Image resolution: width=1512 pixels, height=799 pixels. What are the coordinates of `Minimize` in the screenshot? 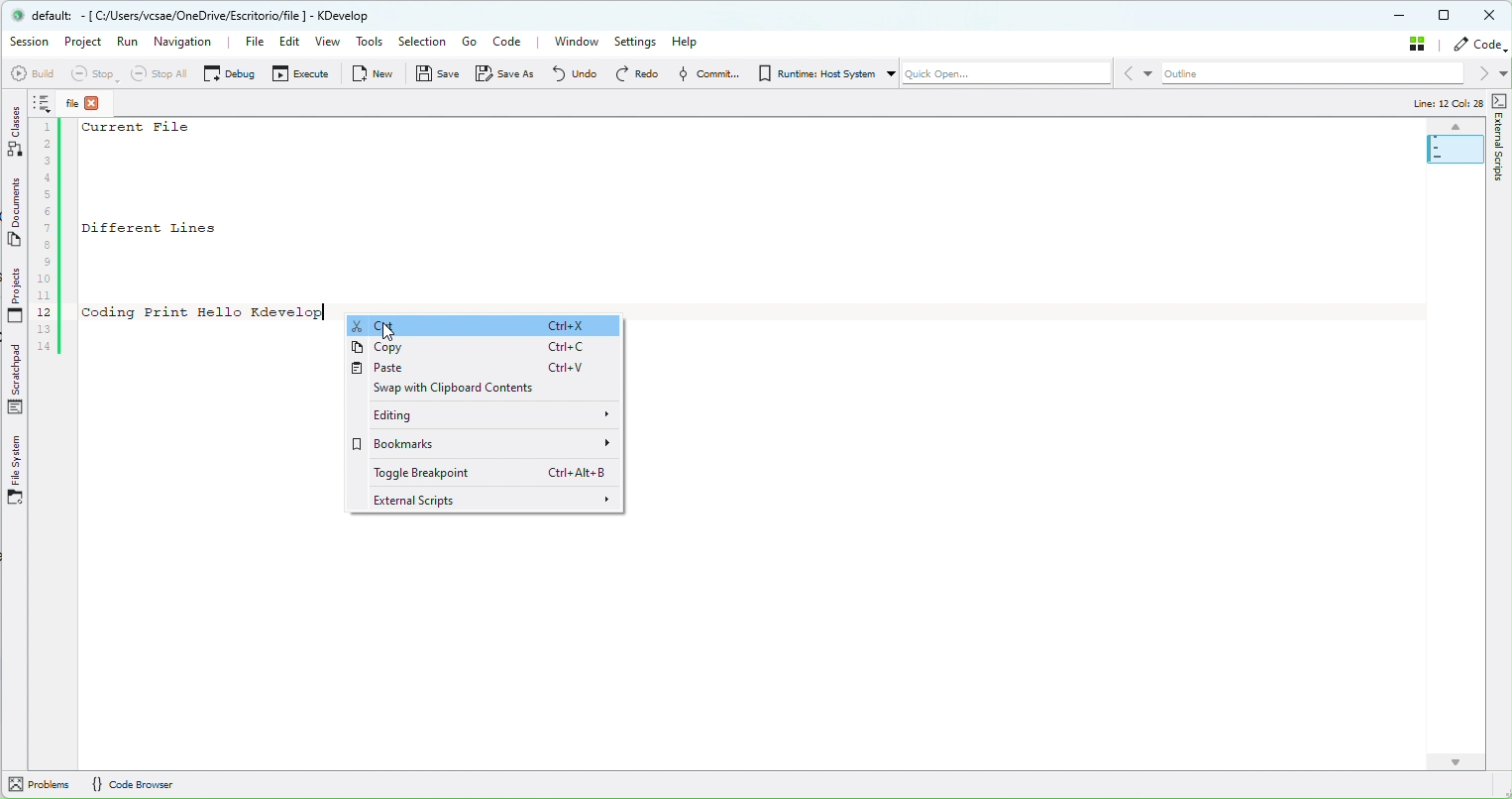 It's located at (1402, 17).